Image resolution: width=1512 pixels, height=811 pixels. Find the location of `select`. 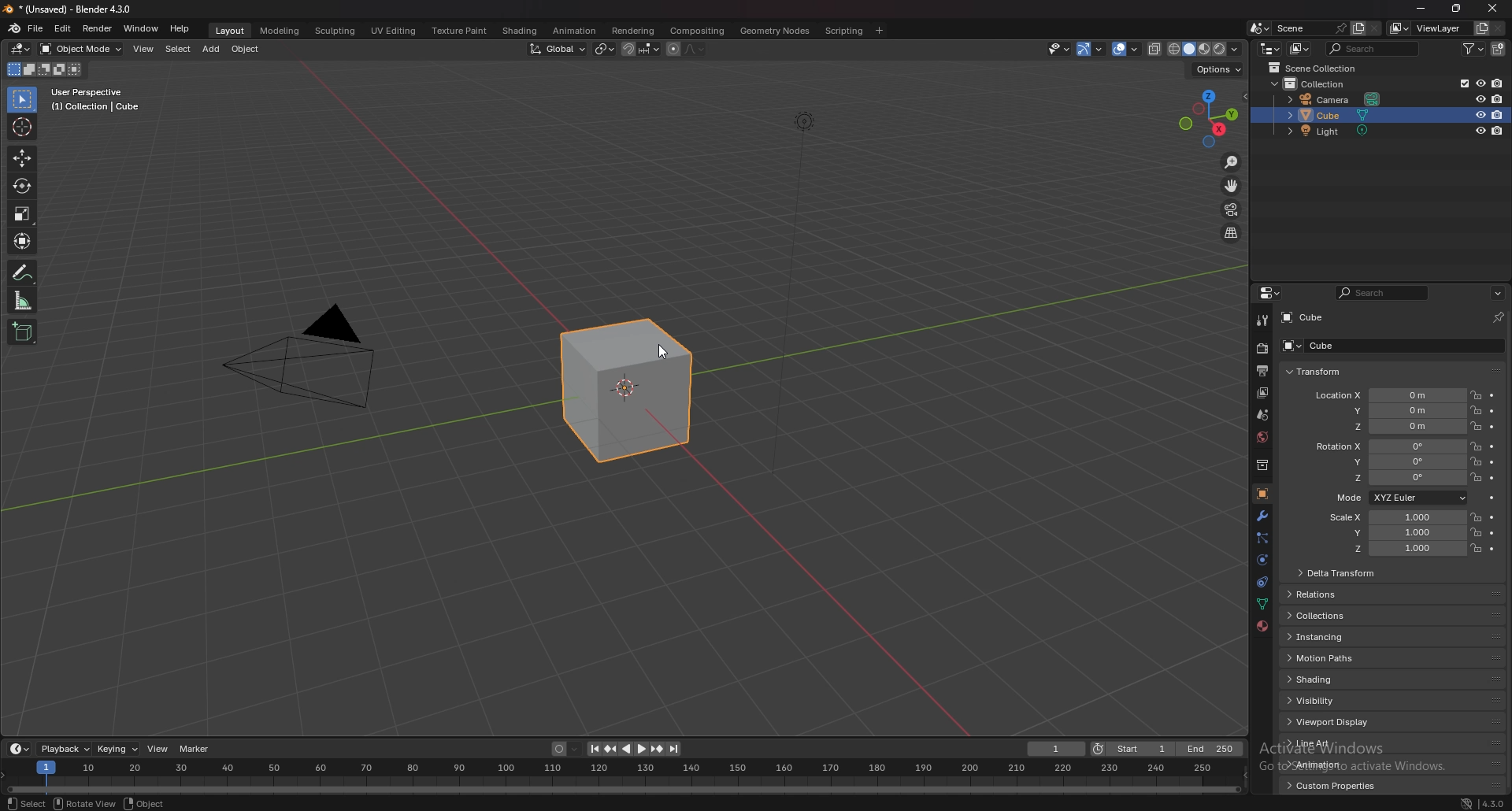

select is located at coordinates (23, 101).